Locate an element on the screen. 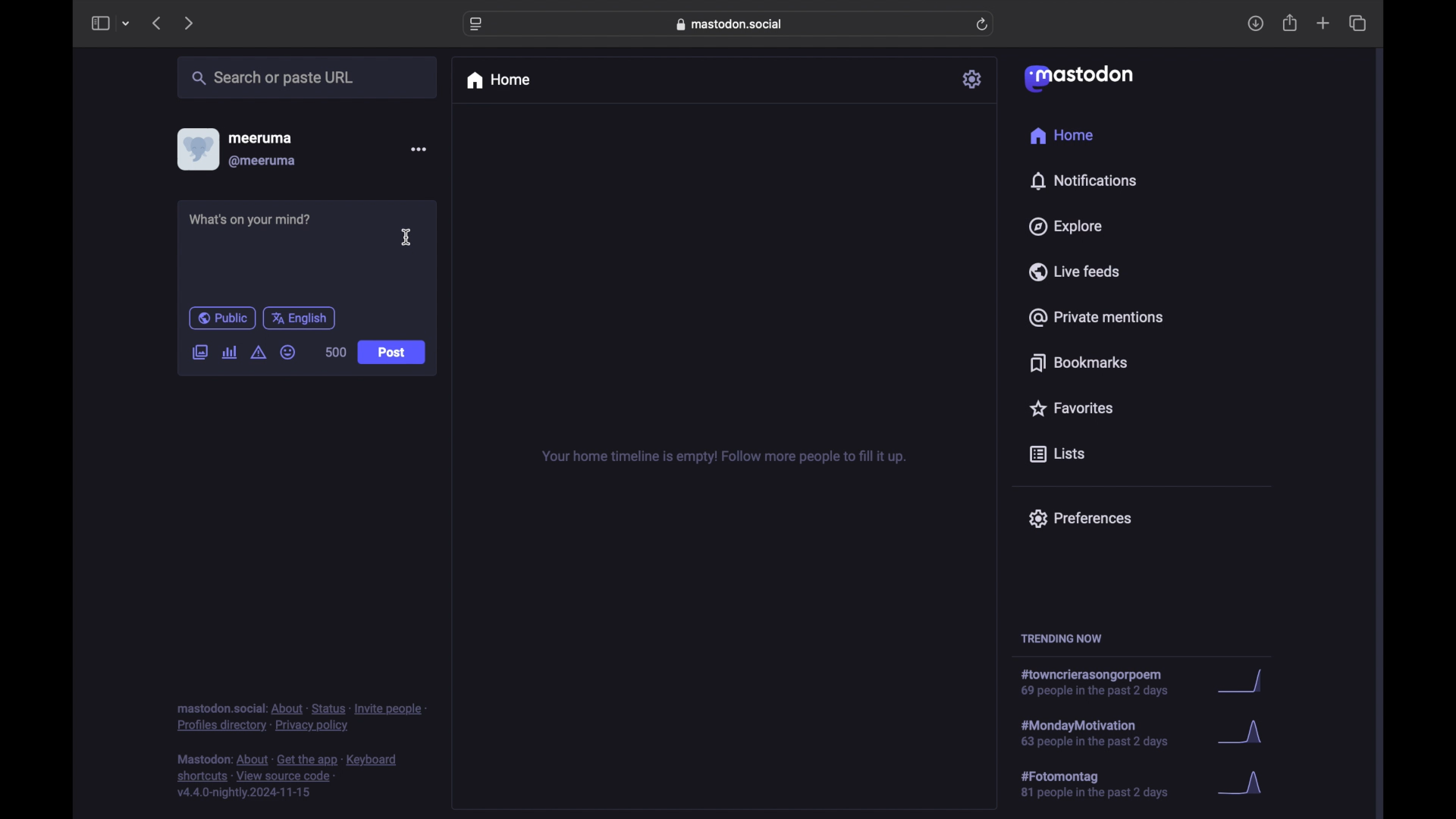 The height and width of the screenshot is (819, 1456). sidebar is located at coordinates (99, 23).